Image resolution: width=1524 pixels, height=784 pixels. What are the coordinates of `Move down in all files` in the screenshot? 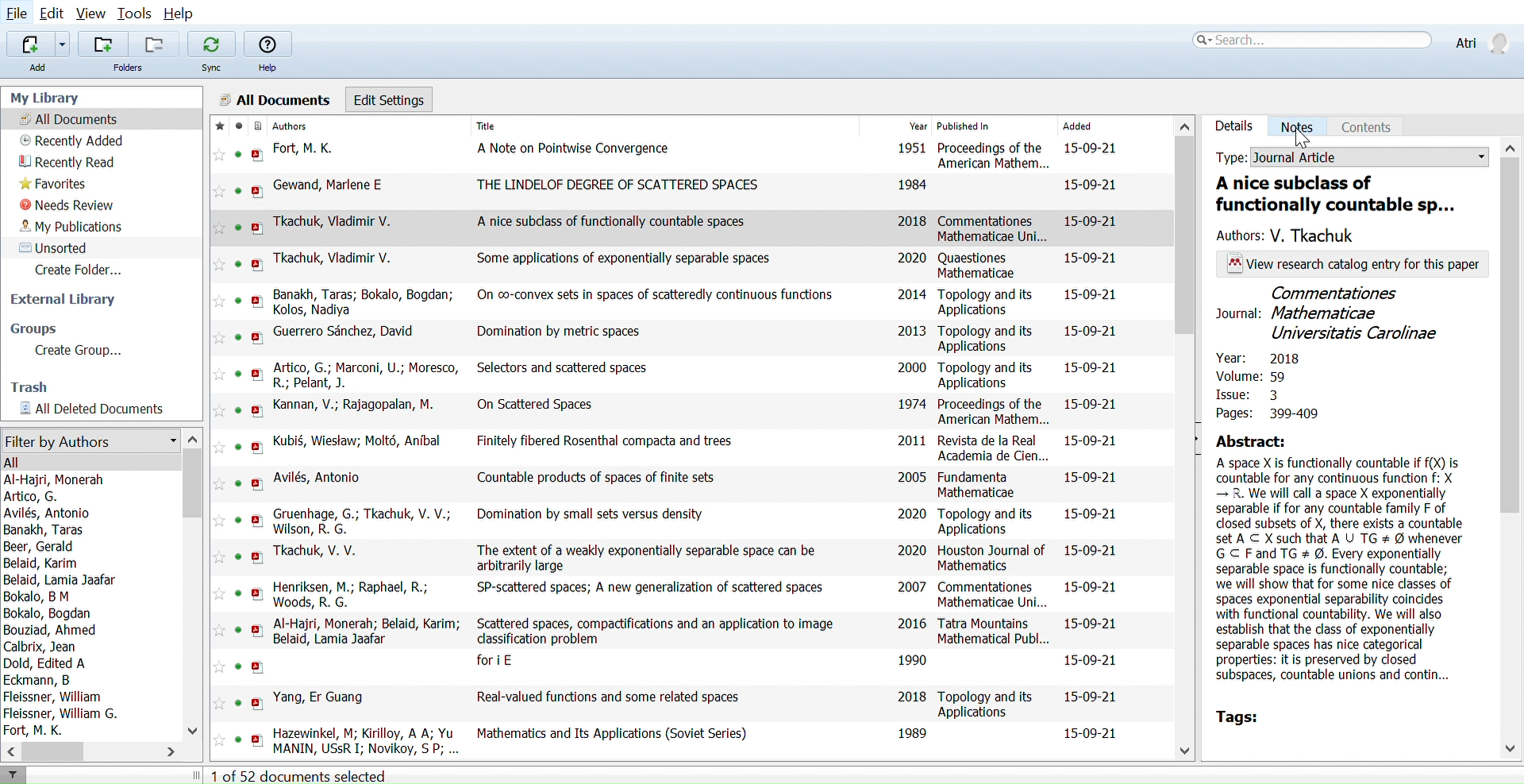 It's located at (1186, 752).